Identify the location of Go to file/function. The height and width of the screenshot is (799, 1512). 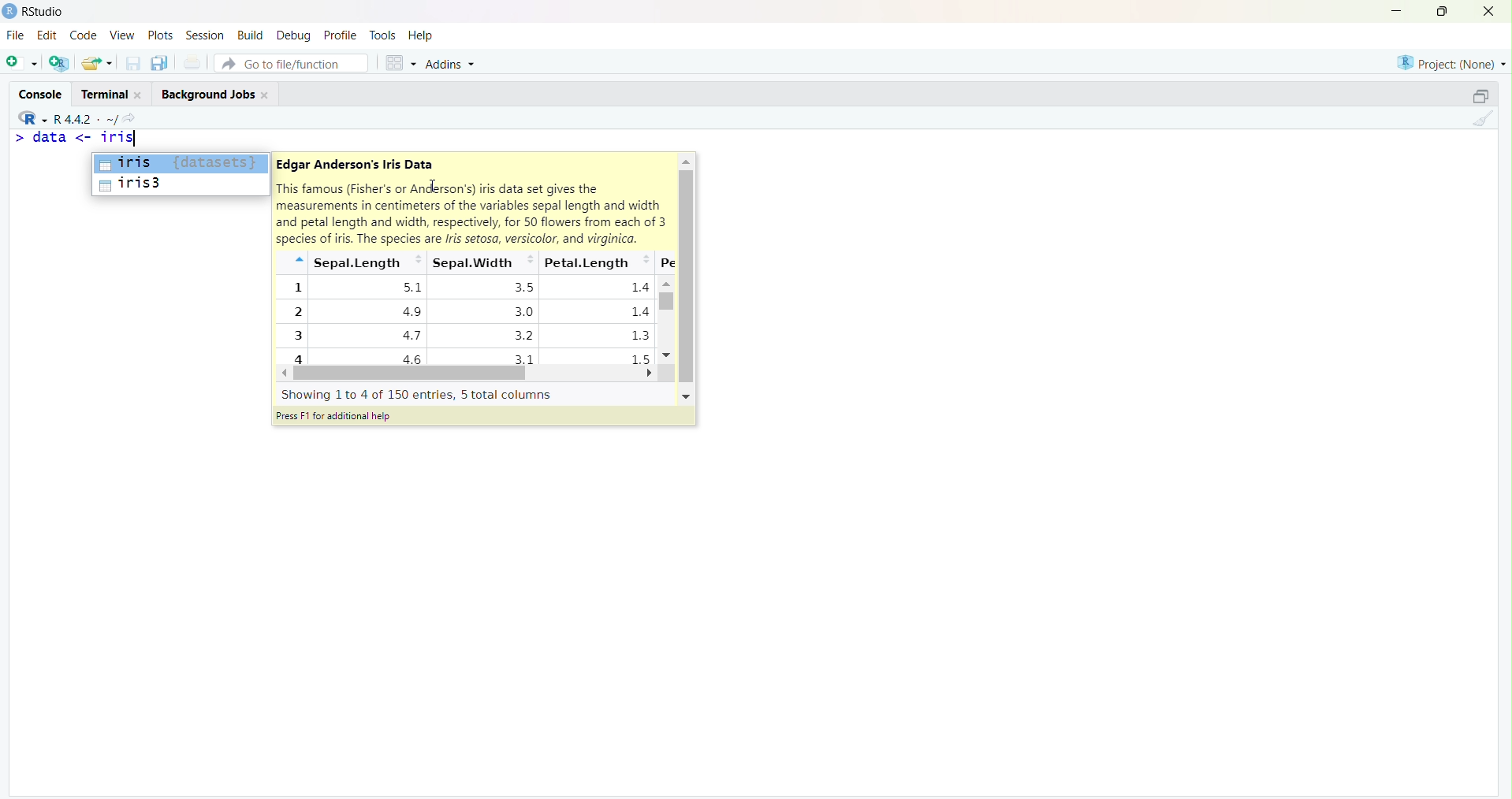
(290, 61).